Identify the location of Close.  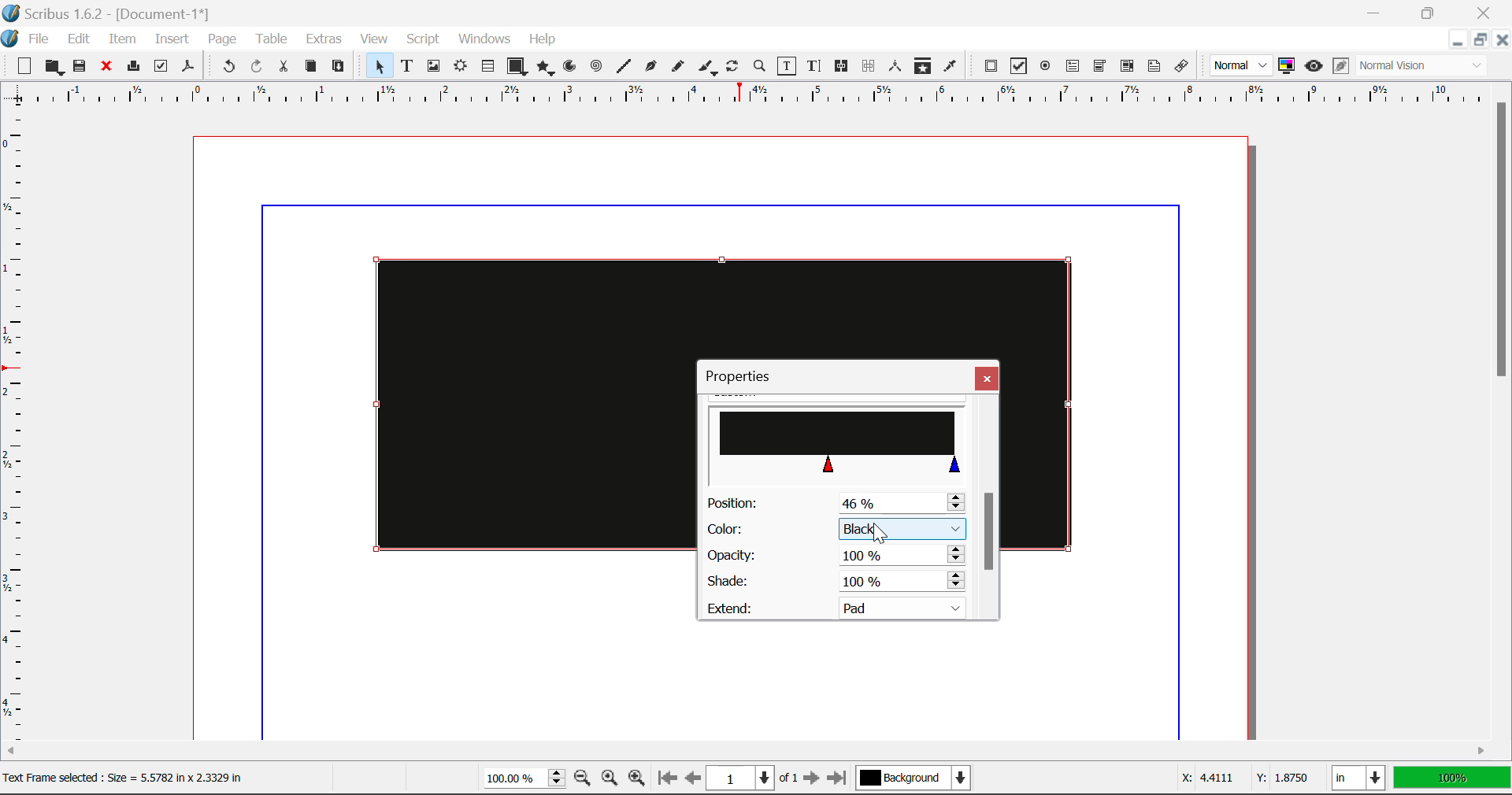
(987, 378).